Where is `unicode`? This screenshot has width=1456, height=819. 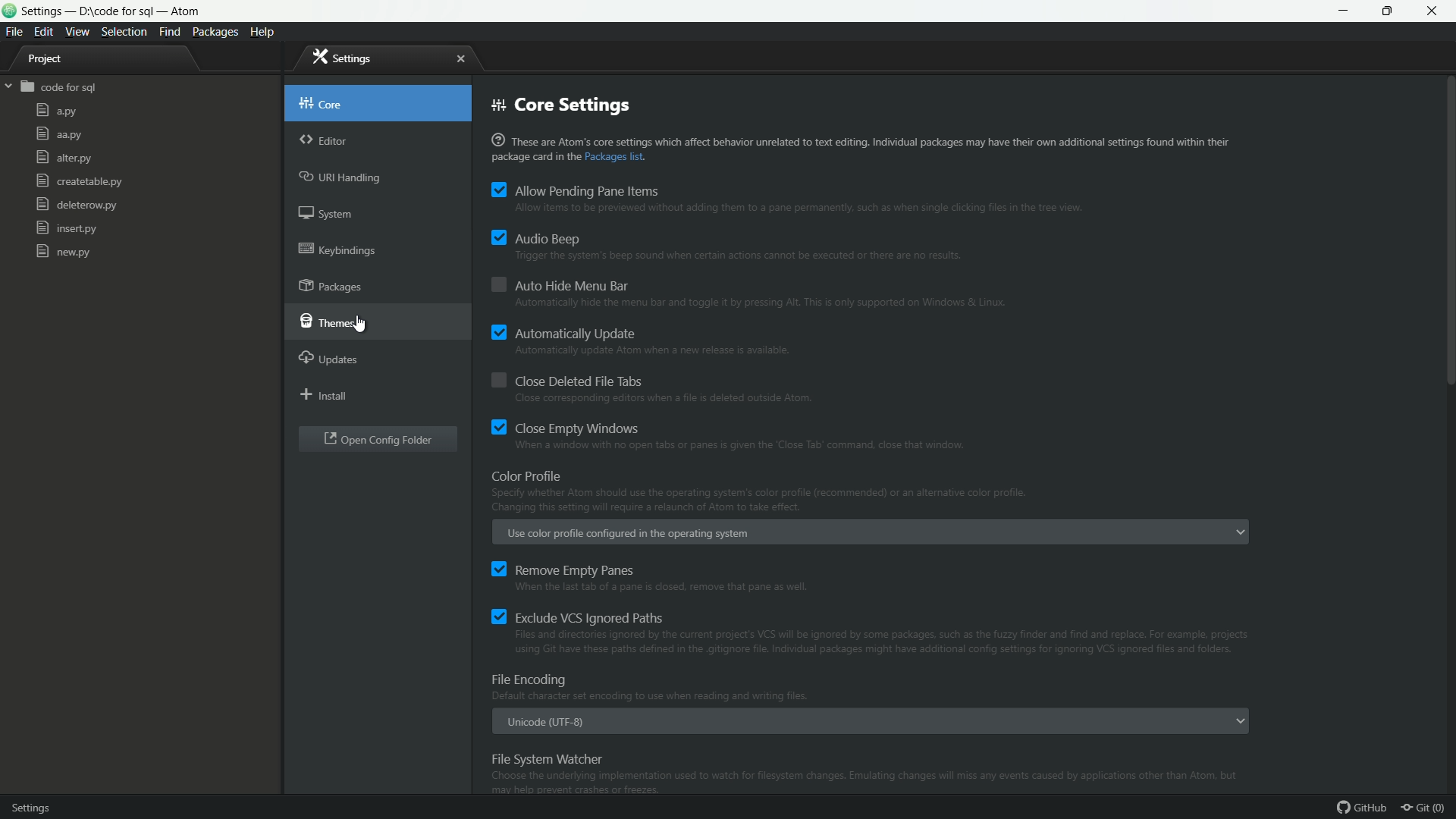
unicode is located at coordinates (547, 723).